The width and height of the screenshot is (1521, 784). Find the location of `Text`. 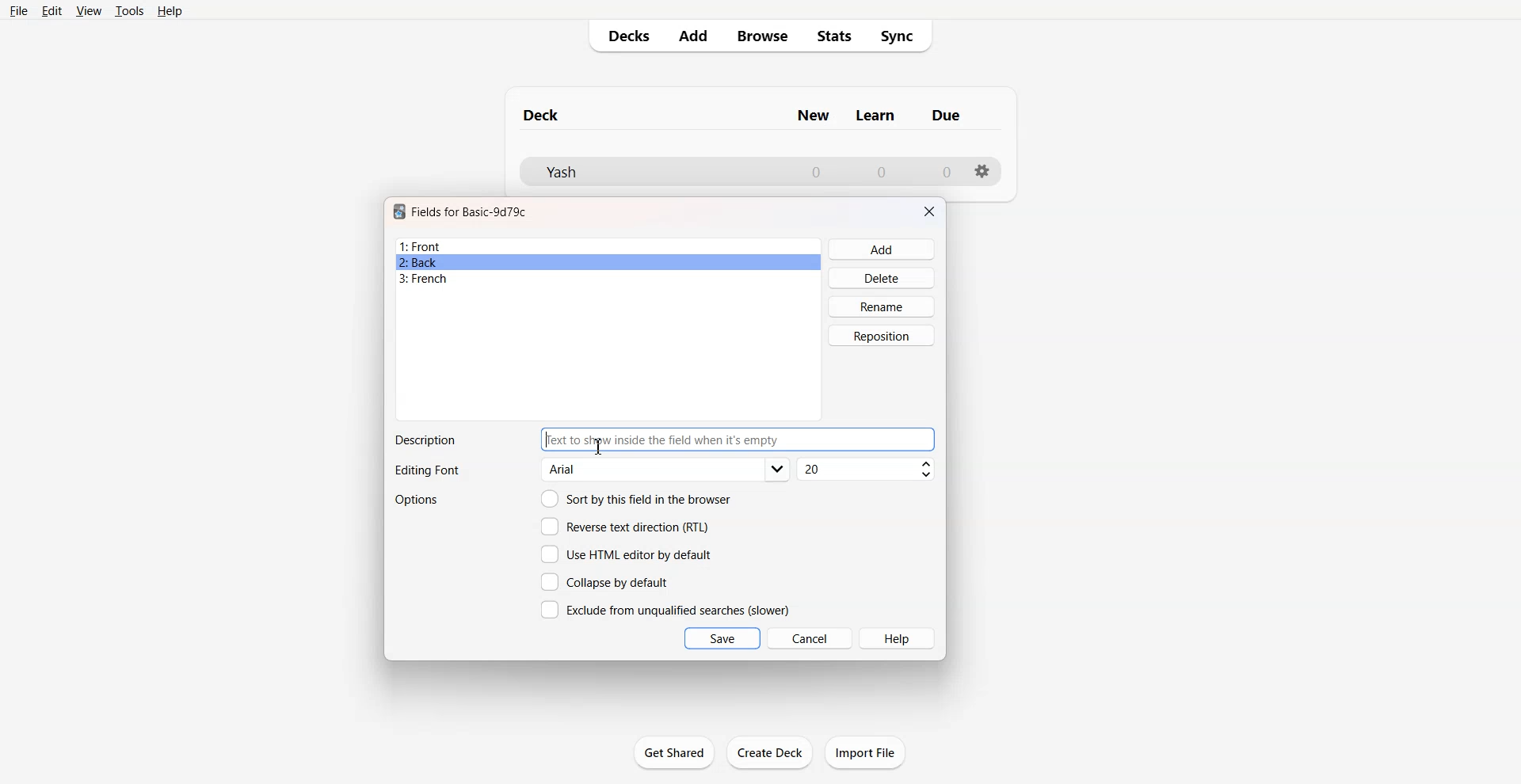

Text is located at coordinates (426, 471).